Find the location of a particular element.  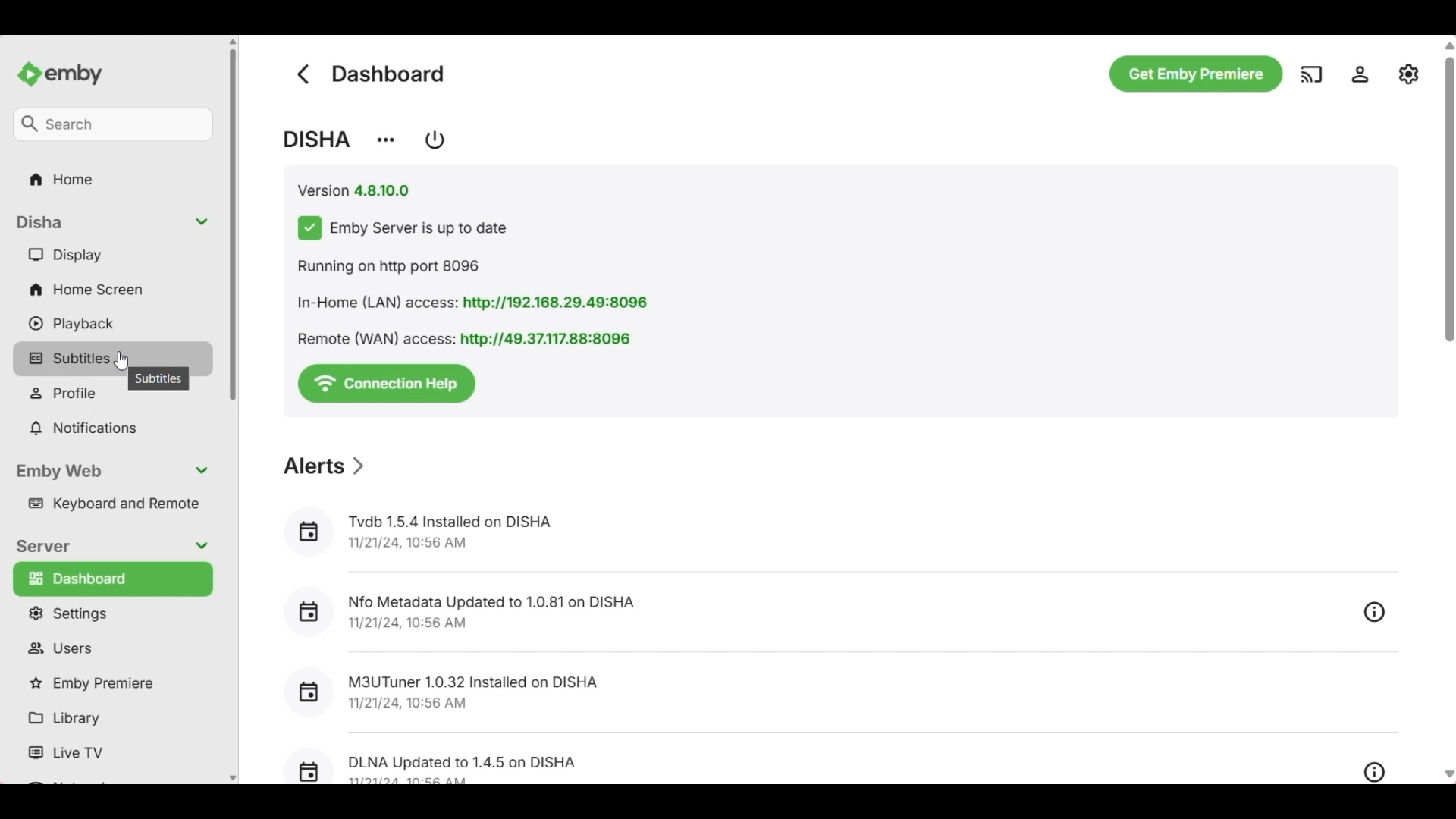

Listed entries for the above-mentioned section is located at coordinates (773, 532).